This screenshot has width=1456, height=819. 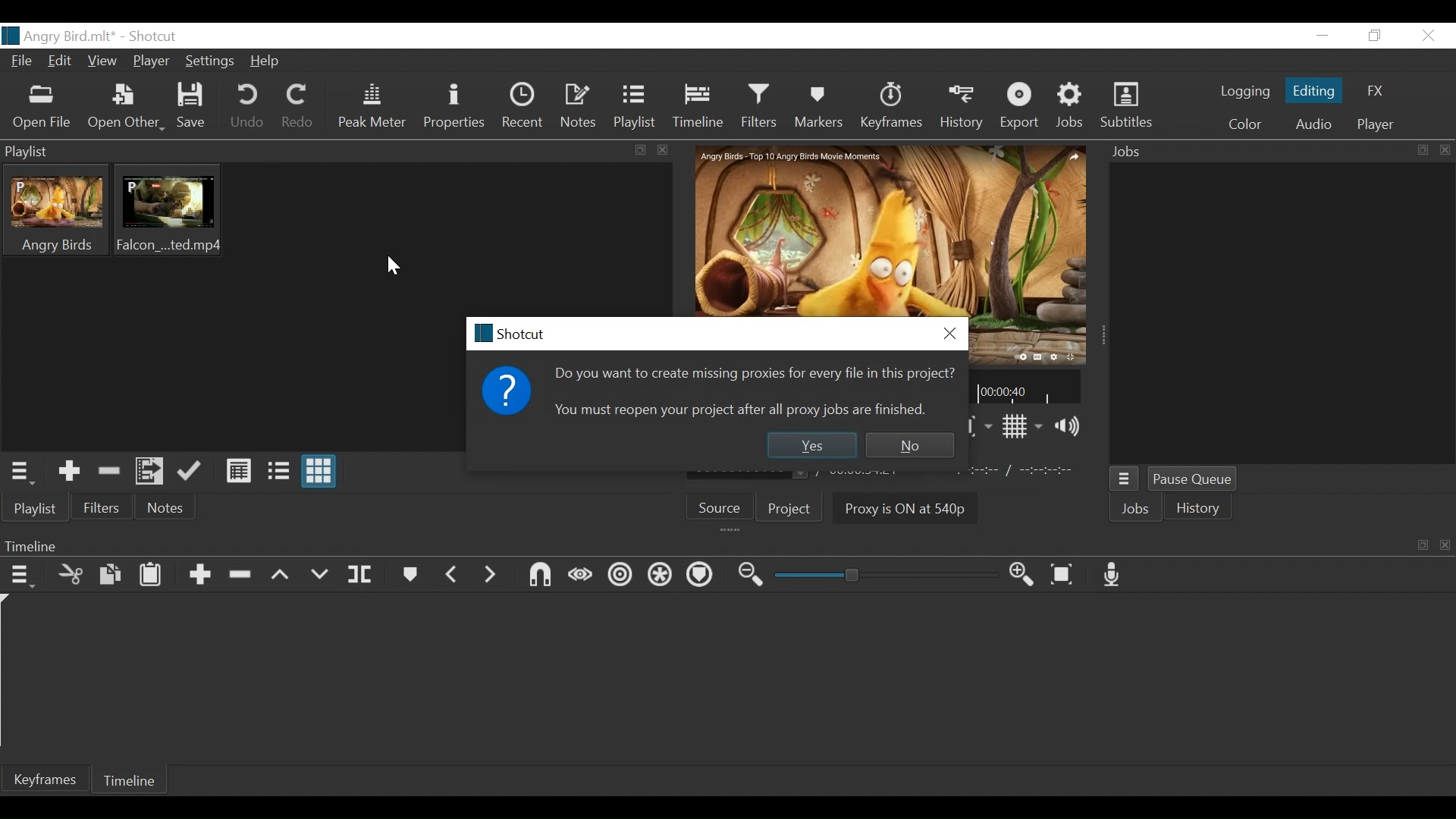 I want to click on FX, so click(x=1373, y=89).